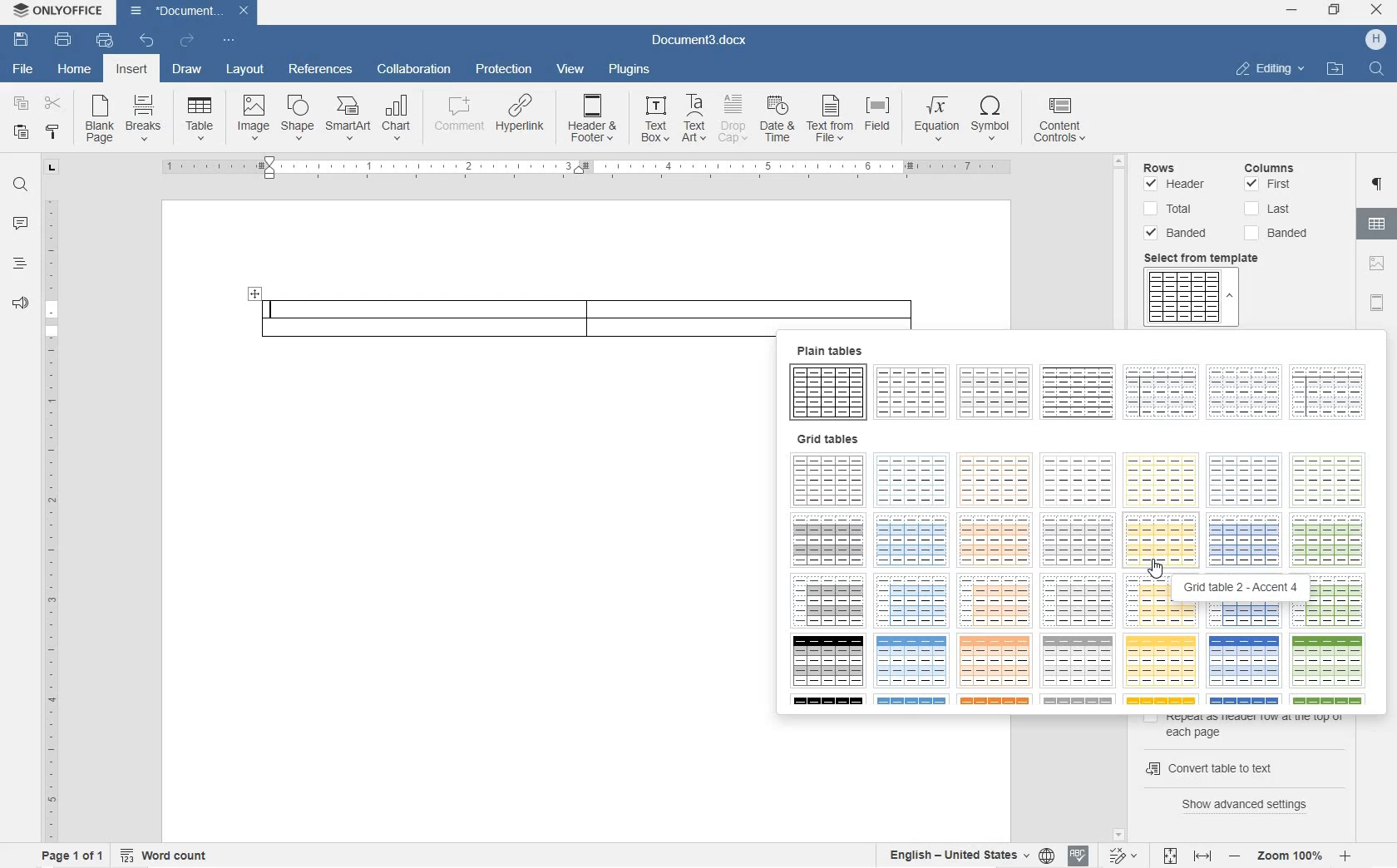 The image size is (1397, 868). I want to click on PASTE, so click(25, 133).